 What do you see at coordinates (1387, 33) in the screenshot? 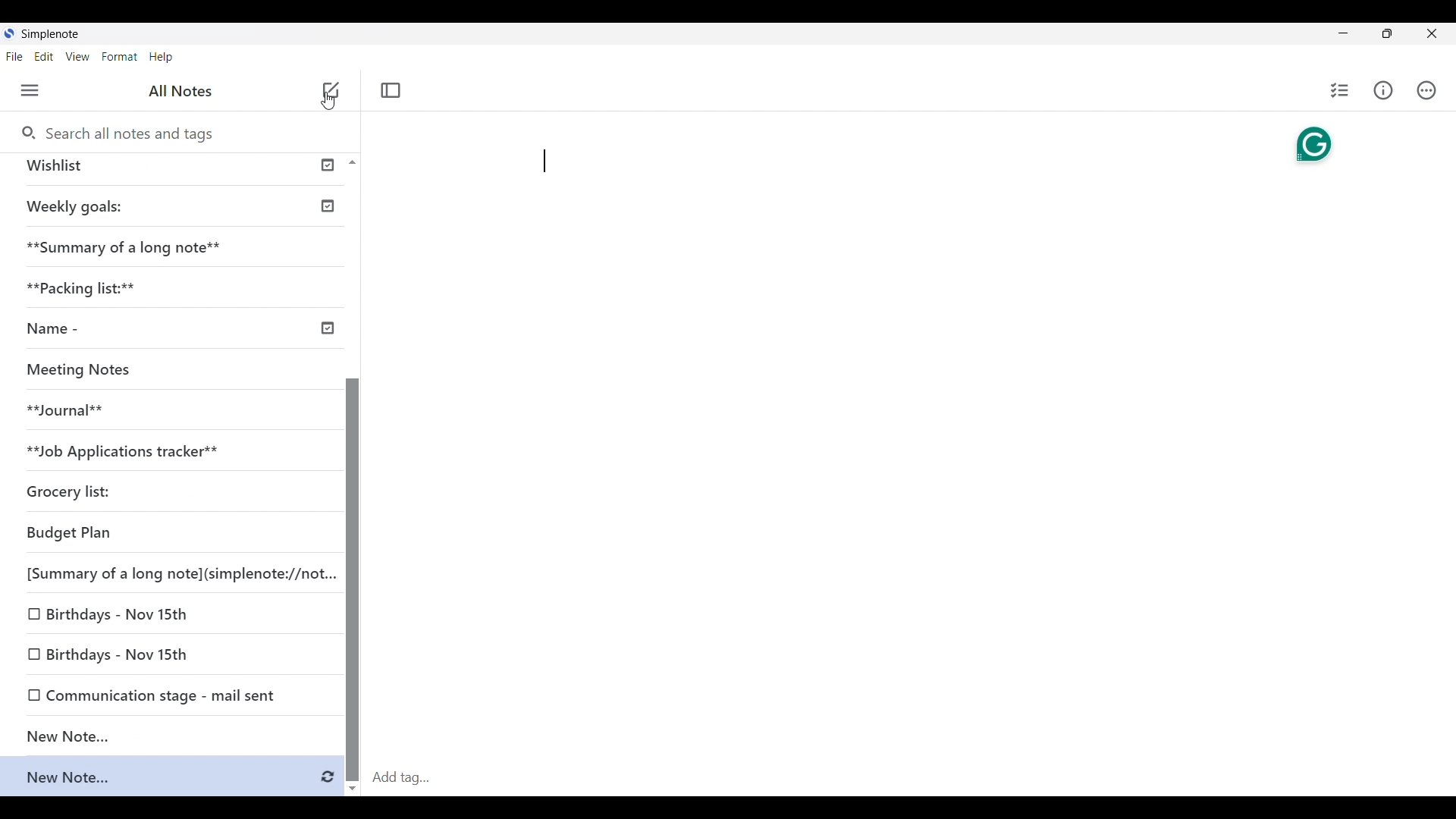
I see `toggle screen` at bounding box center [1387, 33].